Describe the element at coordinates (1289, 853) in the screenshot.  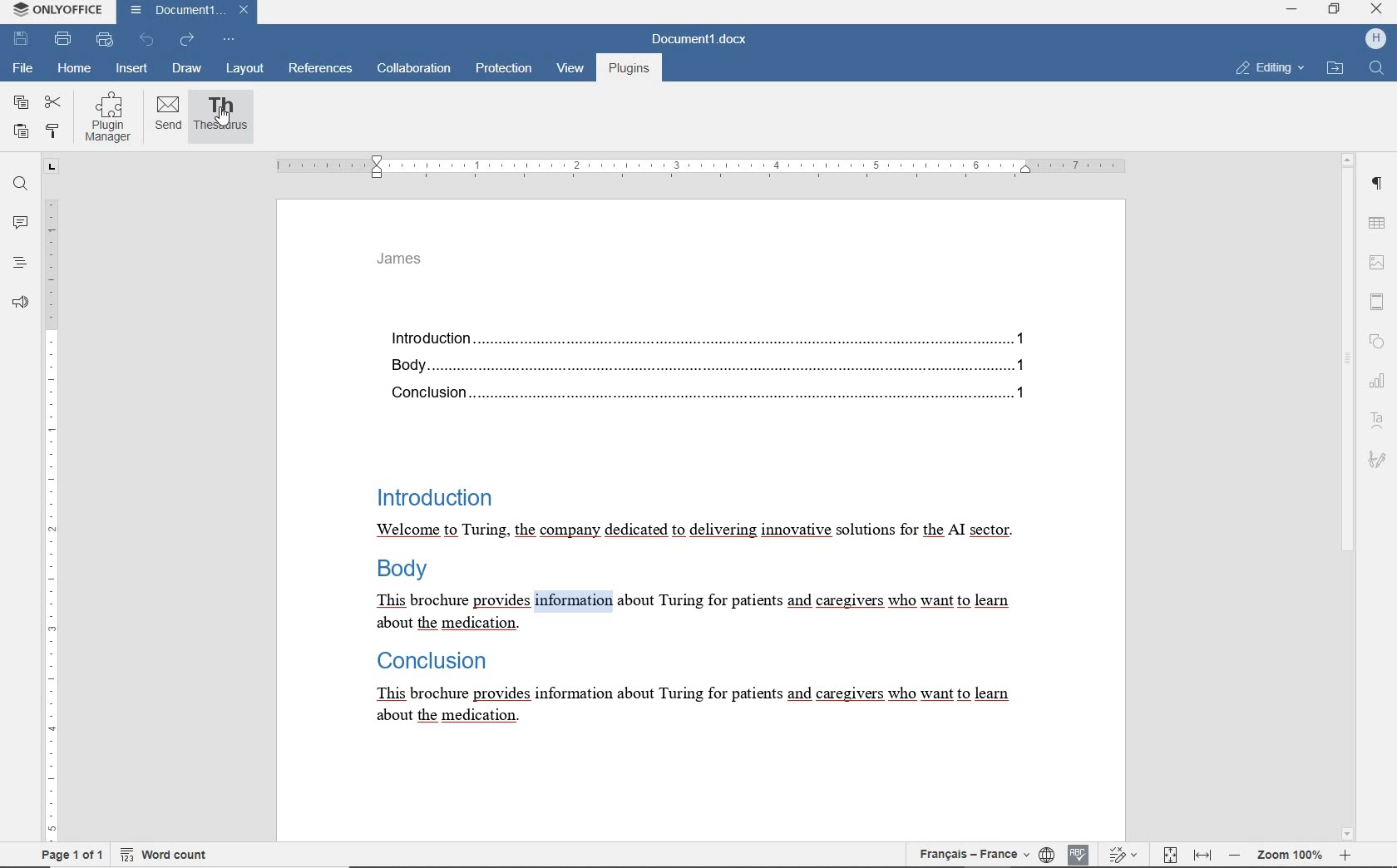
I see `ZOOM 100%` at that location.